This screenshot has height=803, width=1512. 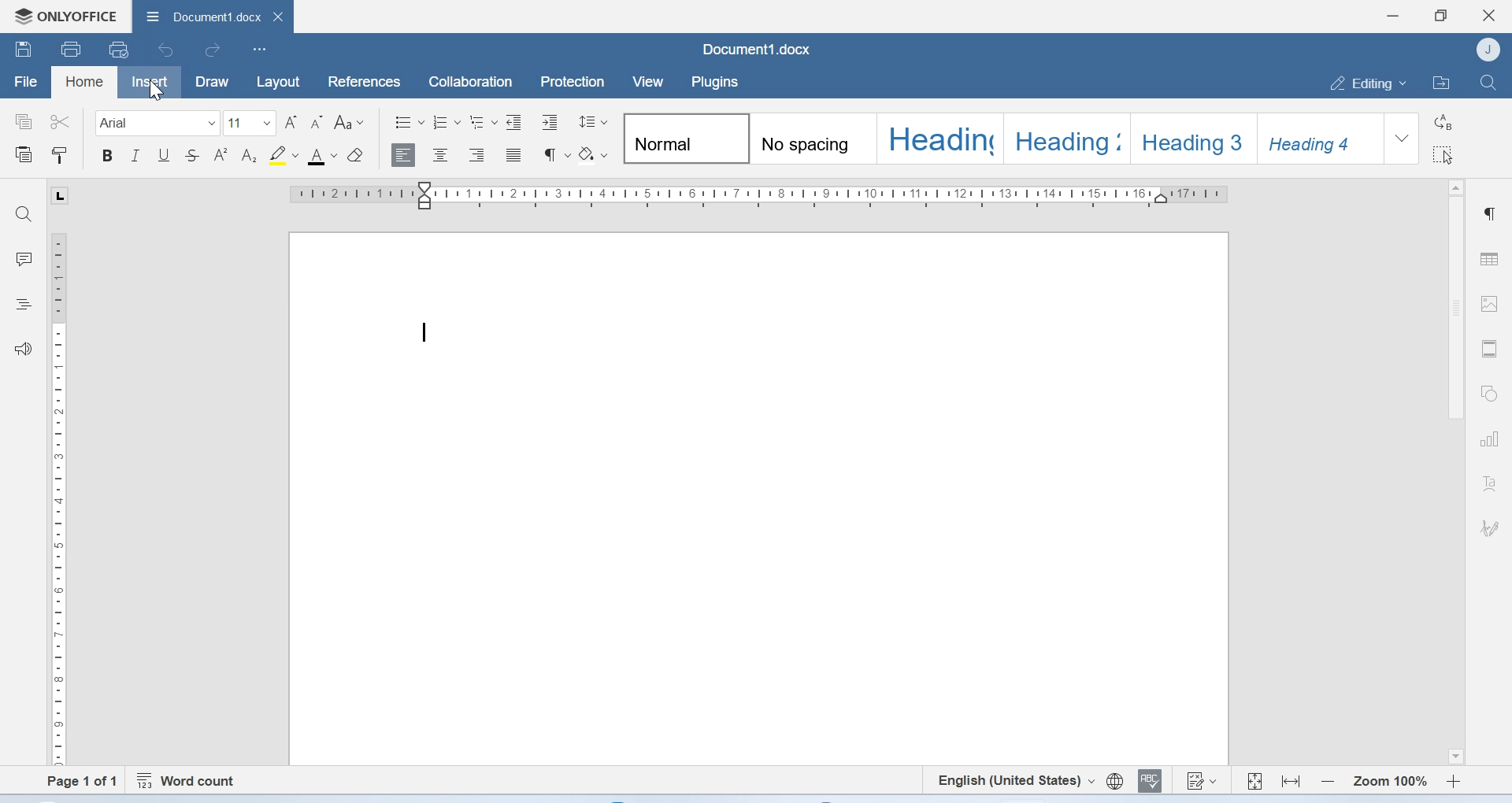 What do you see at coordinates (168, 51) in the screenshot?
I see `Undo` at bounding box center [168, 51].